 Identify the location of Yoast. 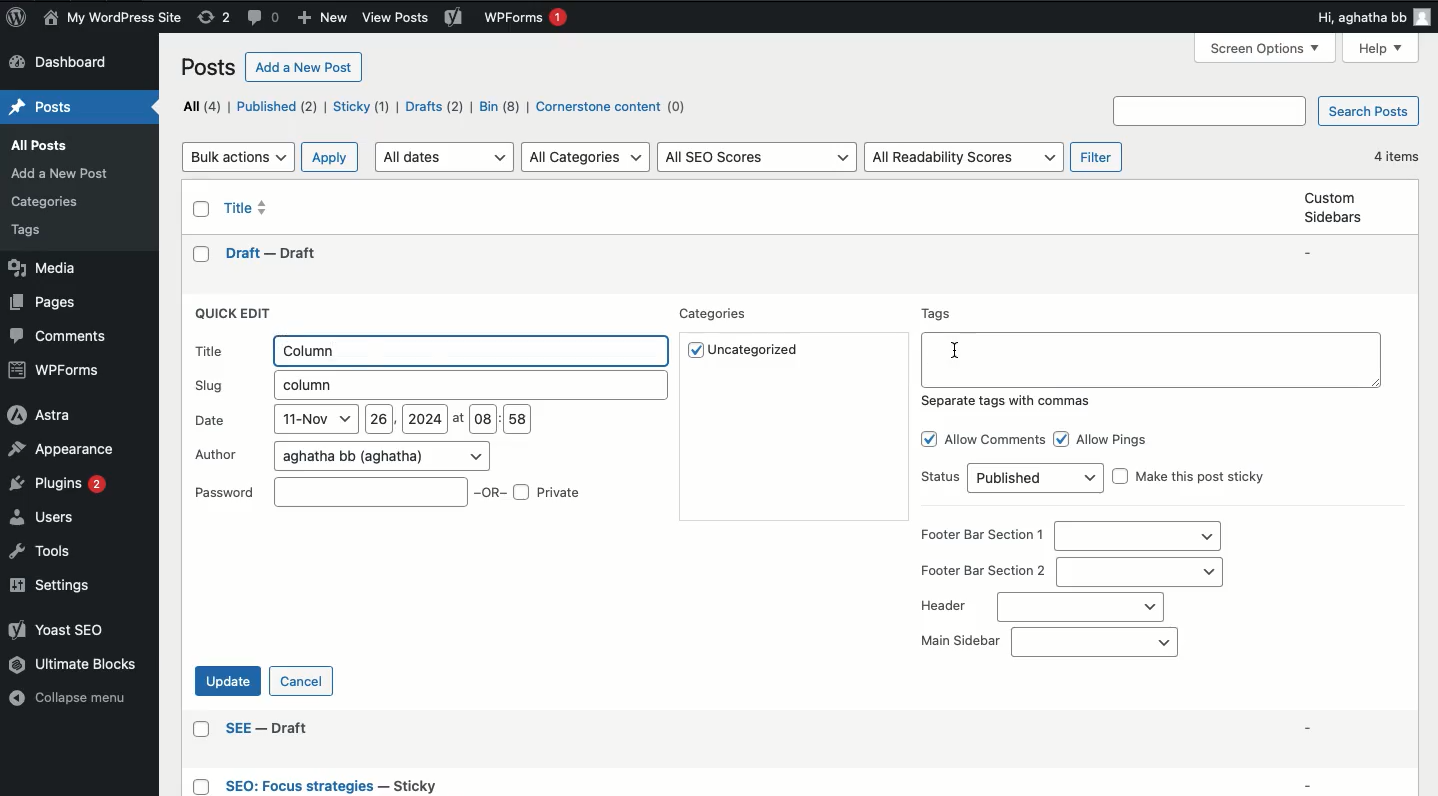
(455, 22).